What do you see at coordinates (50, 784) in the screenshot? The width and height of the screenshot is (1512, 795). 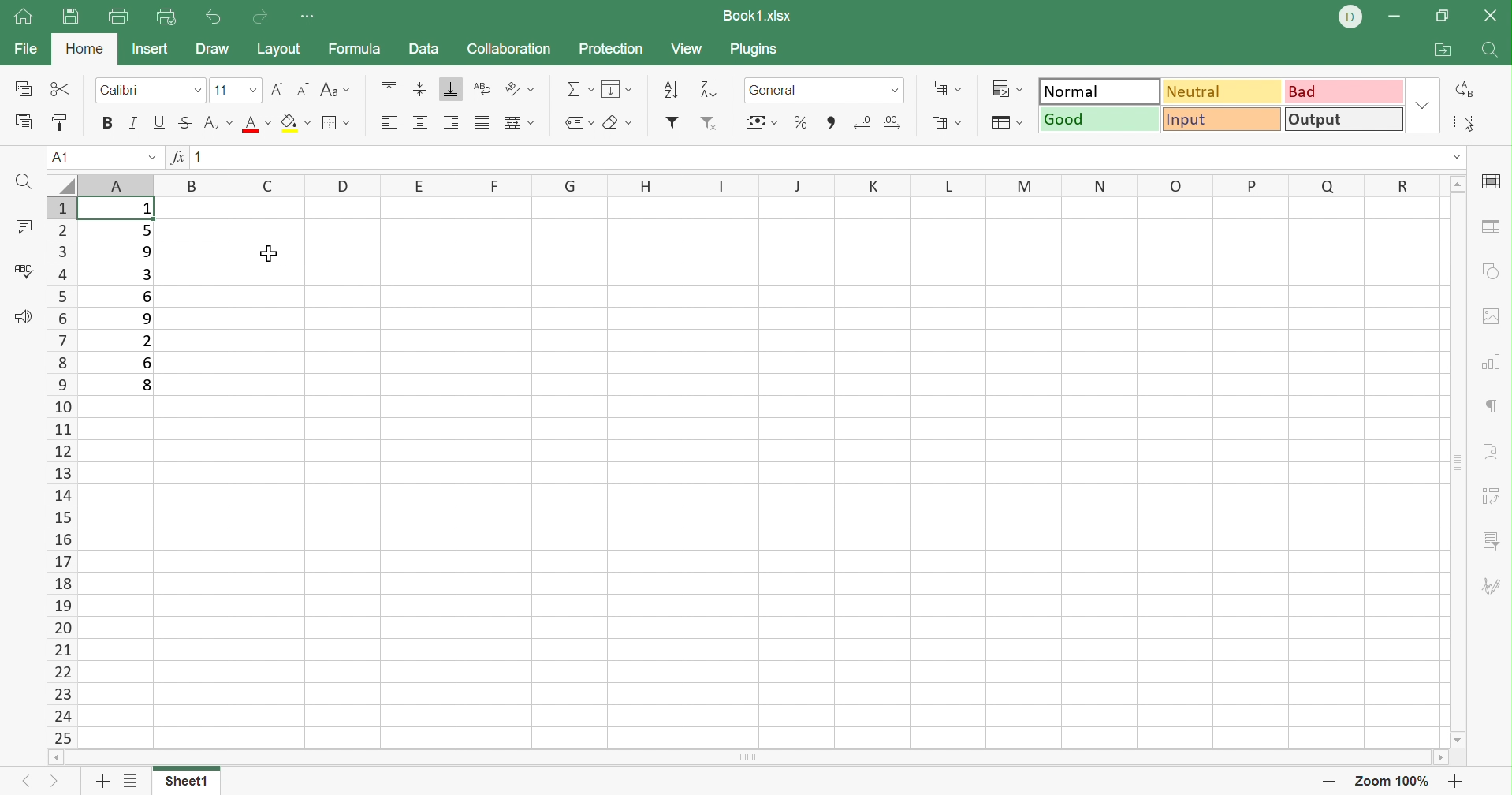 I see `Next` at bounding box center [50, 784].